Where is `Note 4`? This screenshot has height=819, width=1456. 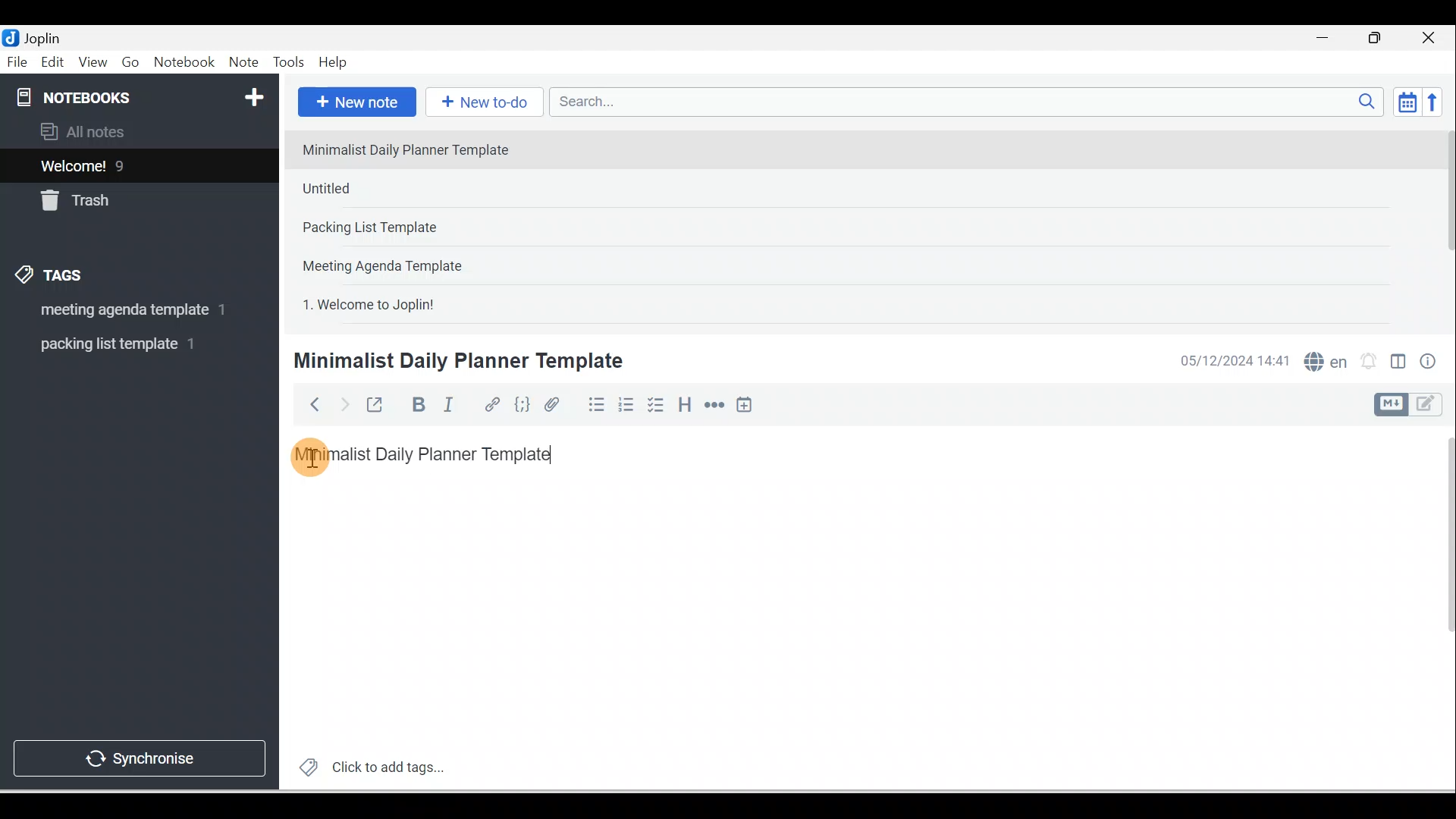
Note 4 is located at coordinates (403, 262).